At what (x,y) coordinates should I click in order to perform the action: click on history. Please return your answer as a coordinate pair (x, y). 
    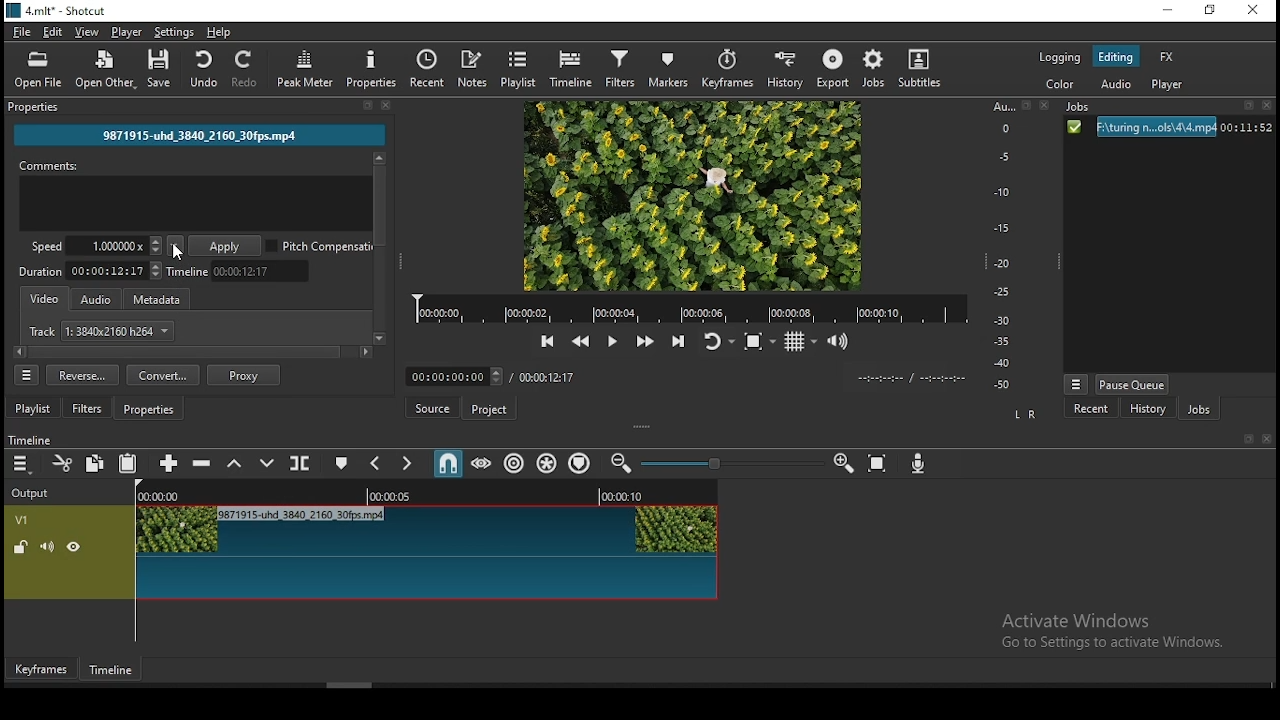
    Looking at the image, I should click on (1144, 410).